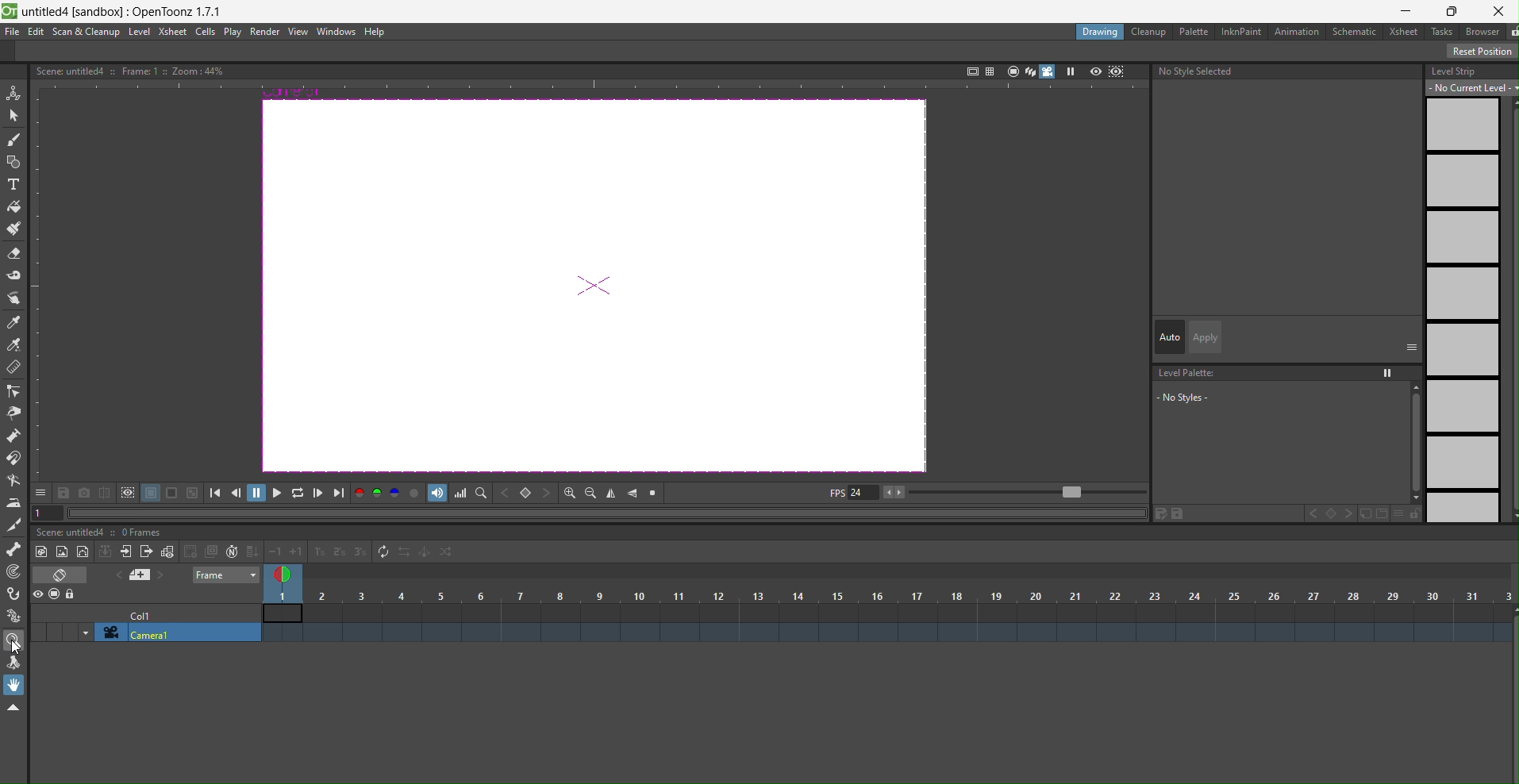 Image resolution: width=1519 pixels, height=784 pixels. I want to click on tracker tool, so click(15, 573).